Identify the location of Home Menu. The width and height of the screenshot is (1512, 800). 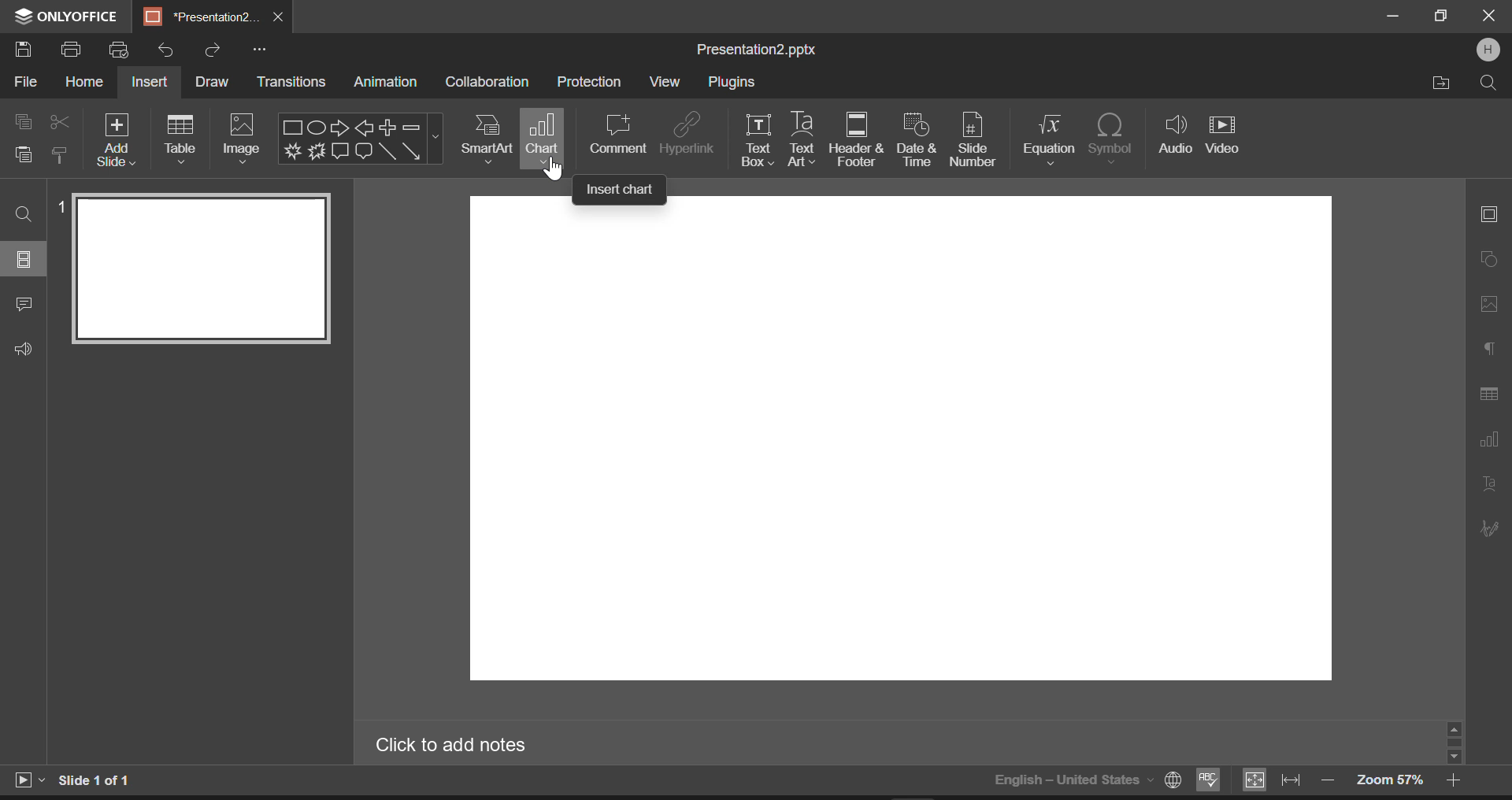
(83, 83).